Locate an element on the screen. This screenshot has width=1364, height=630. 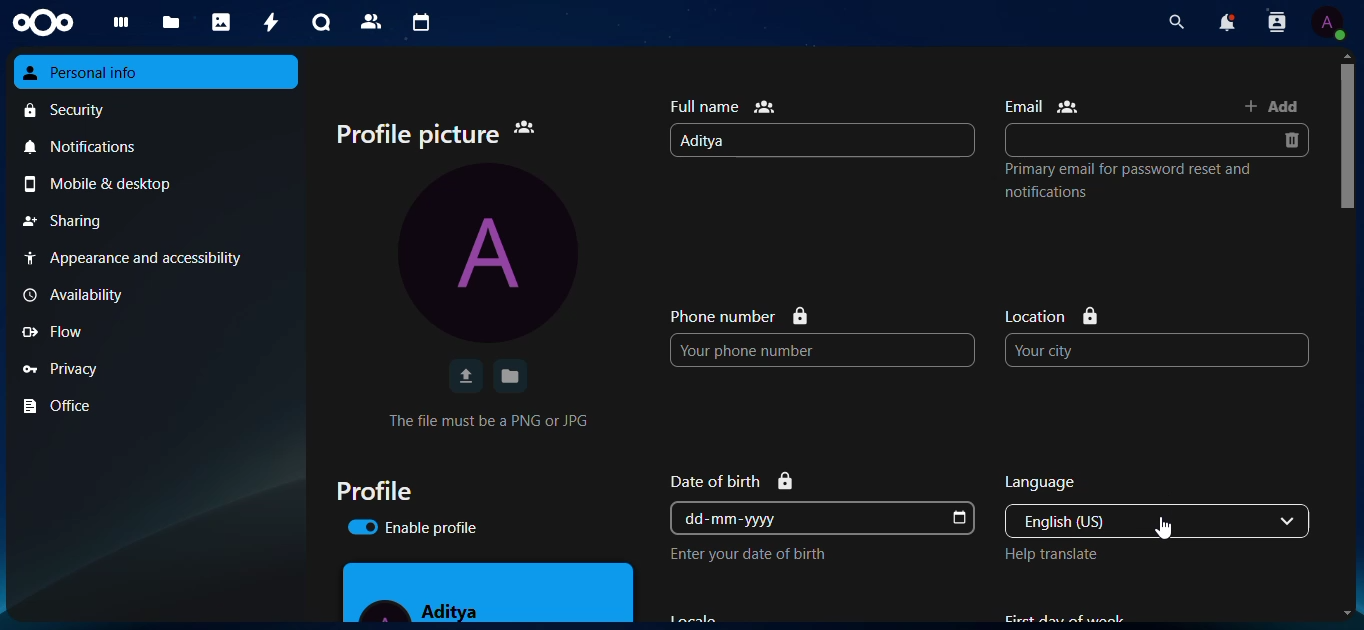
save is located at coordinates (510, 375).